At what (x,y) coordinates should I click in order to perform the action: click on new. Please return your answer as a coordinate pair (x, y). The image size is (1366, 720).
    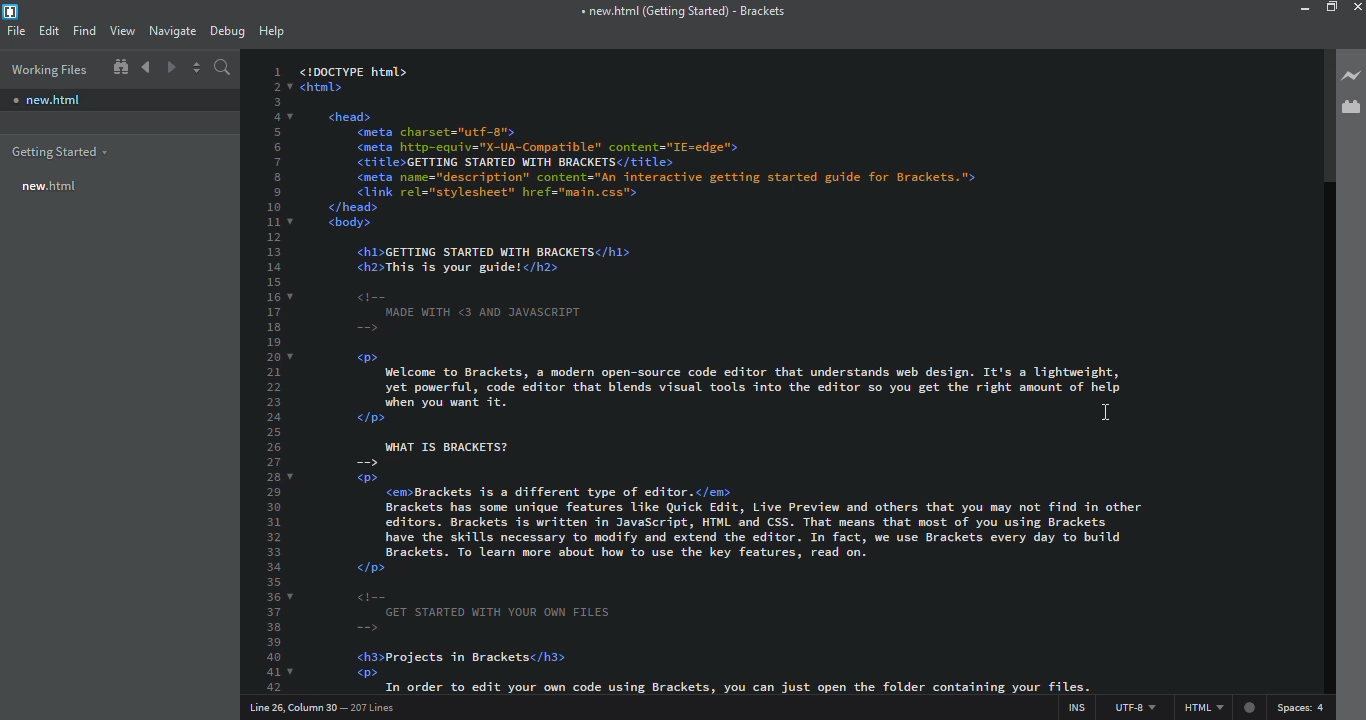
    Looking at the image, I should click on (51, 185).